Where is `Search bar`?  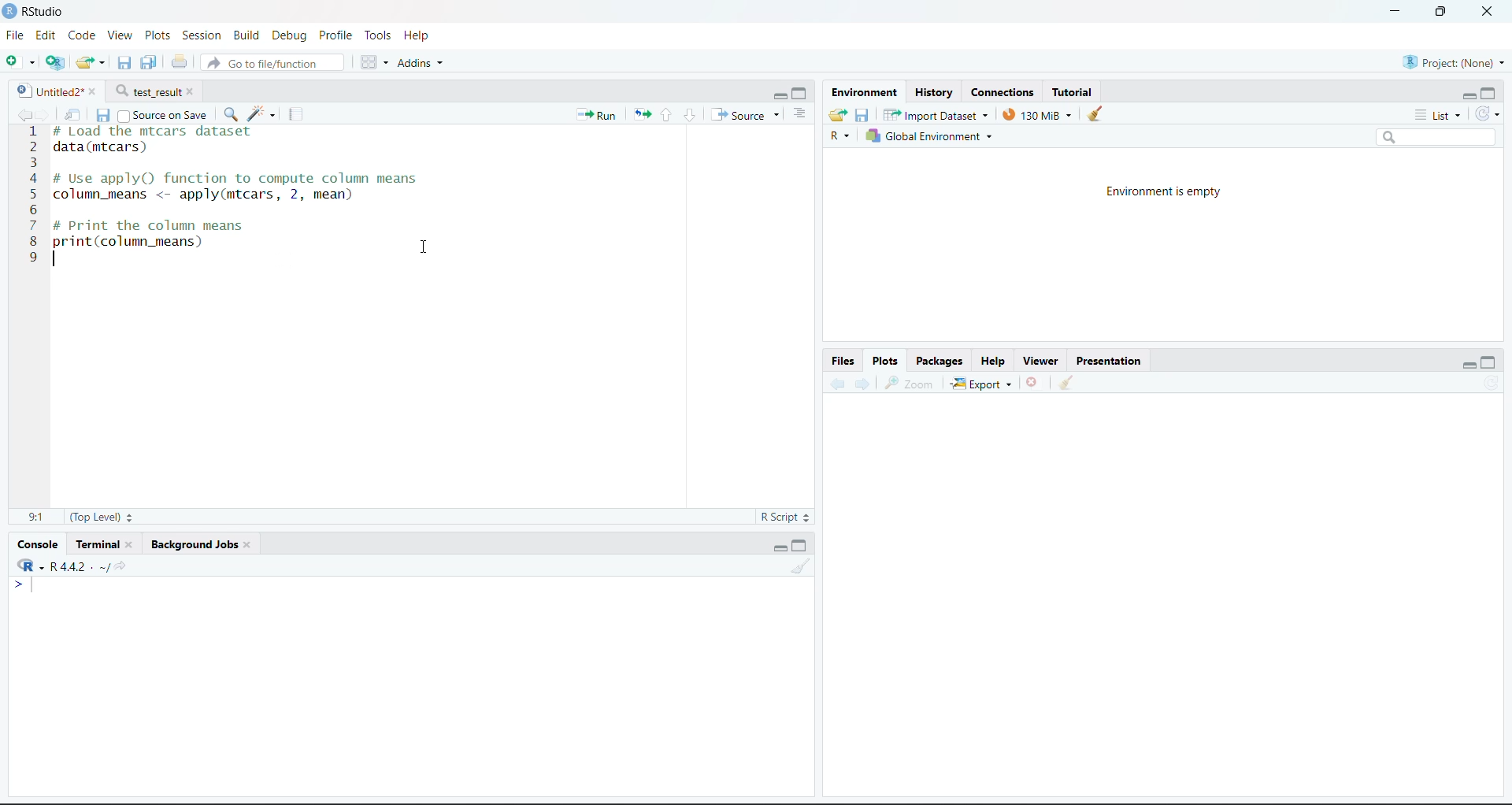 Search bar is located at coordinates (1440, 139).